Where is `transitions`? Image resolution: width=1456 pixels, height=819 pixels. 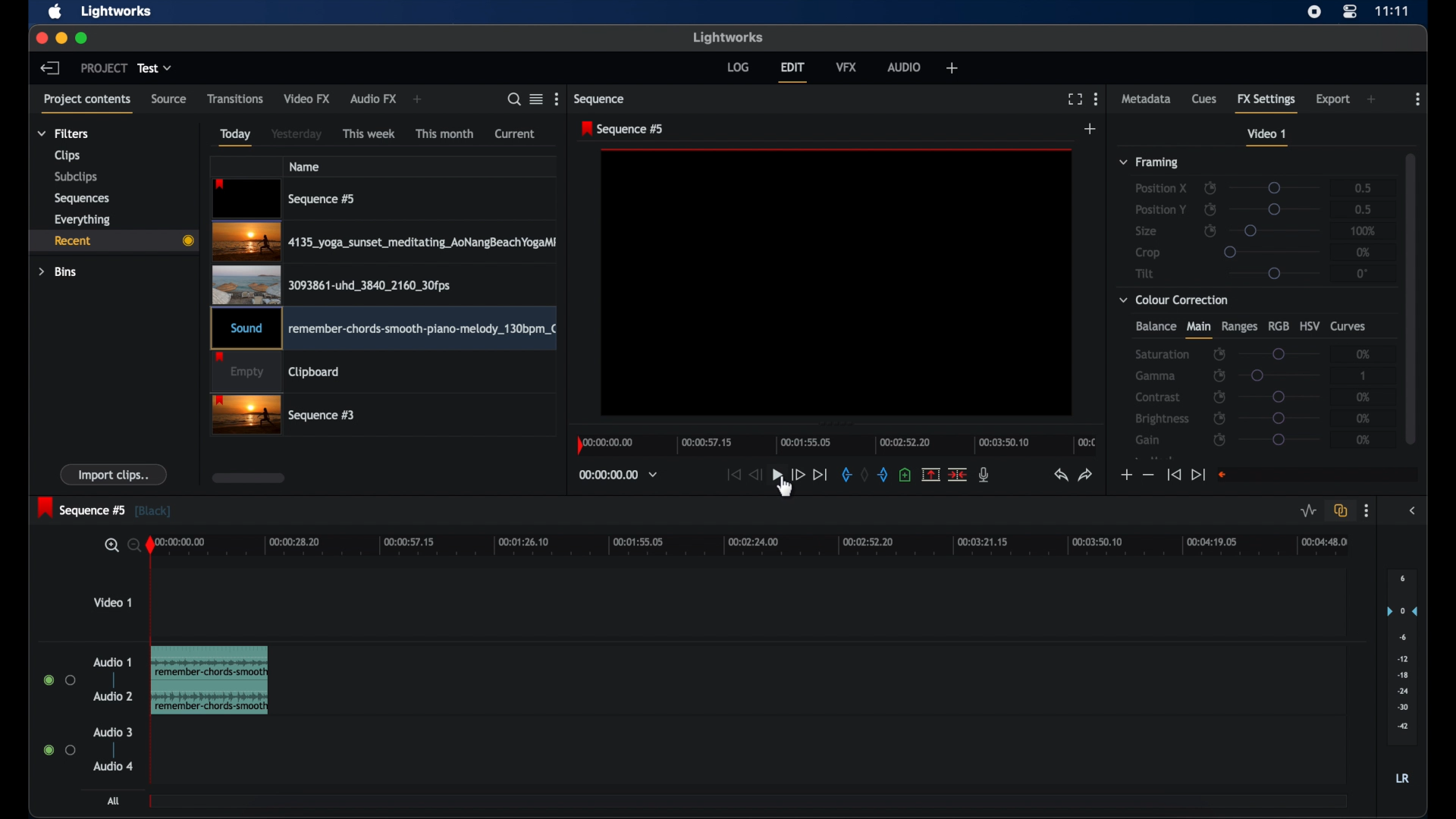
transitions is located at coordinates (235, 99).